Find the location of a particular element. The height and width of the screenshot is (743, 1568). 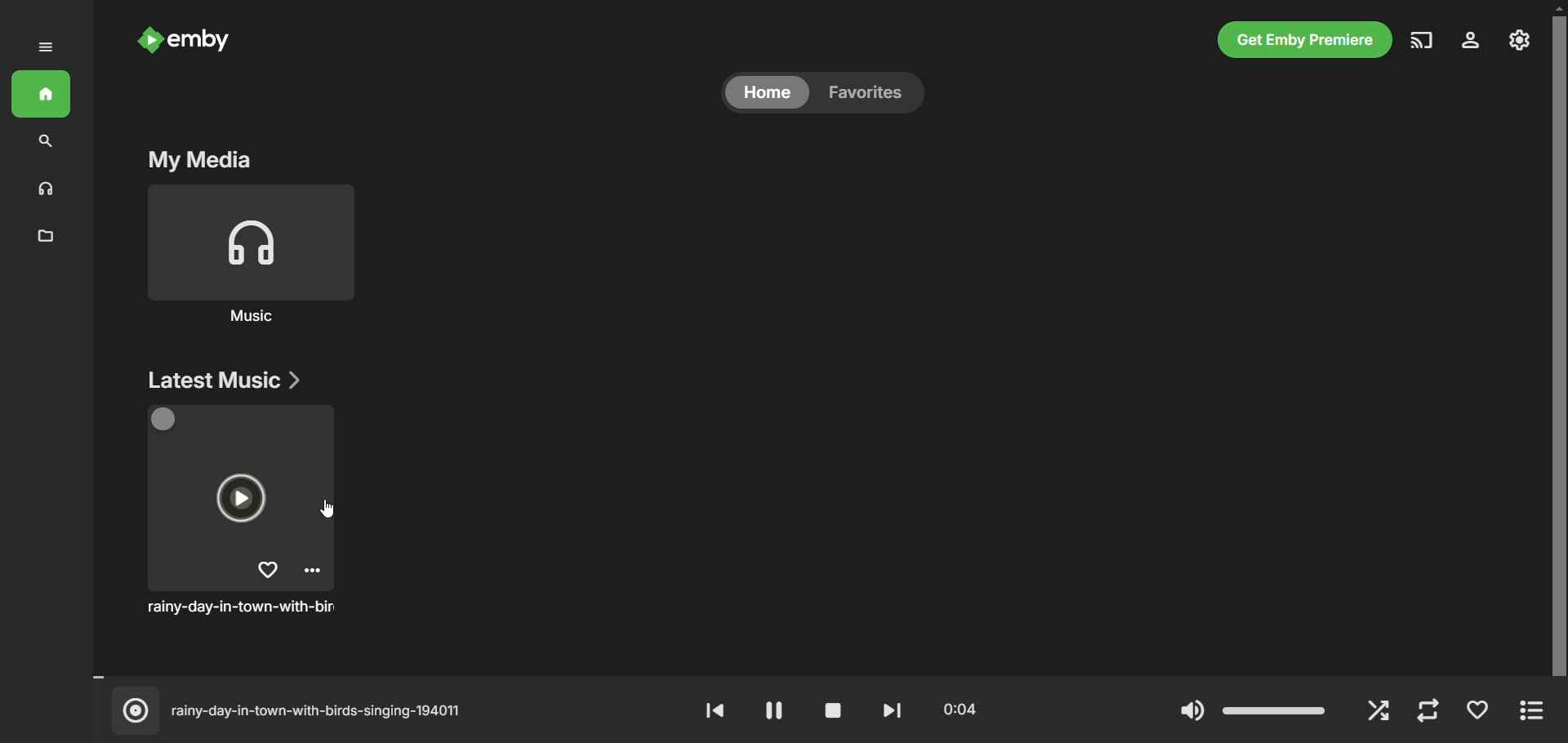

my media is located at coordinates (194, 160).